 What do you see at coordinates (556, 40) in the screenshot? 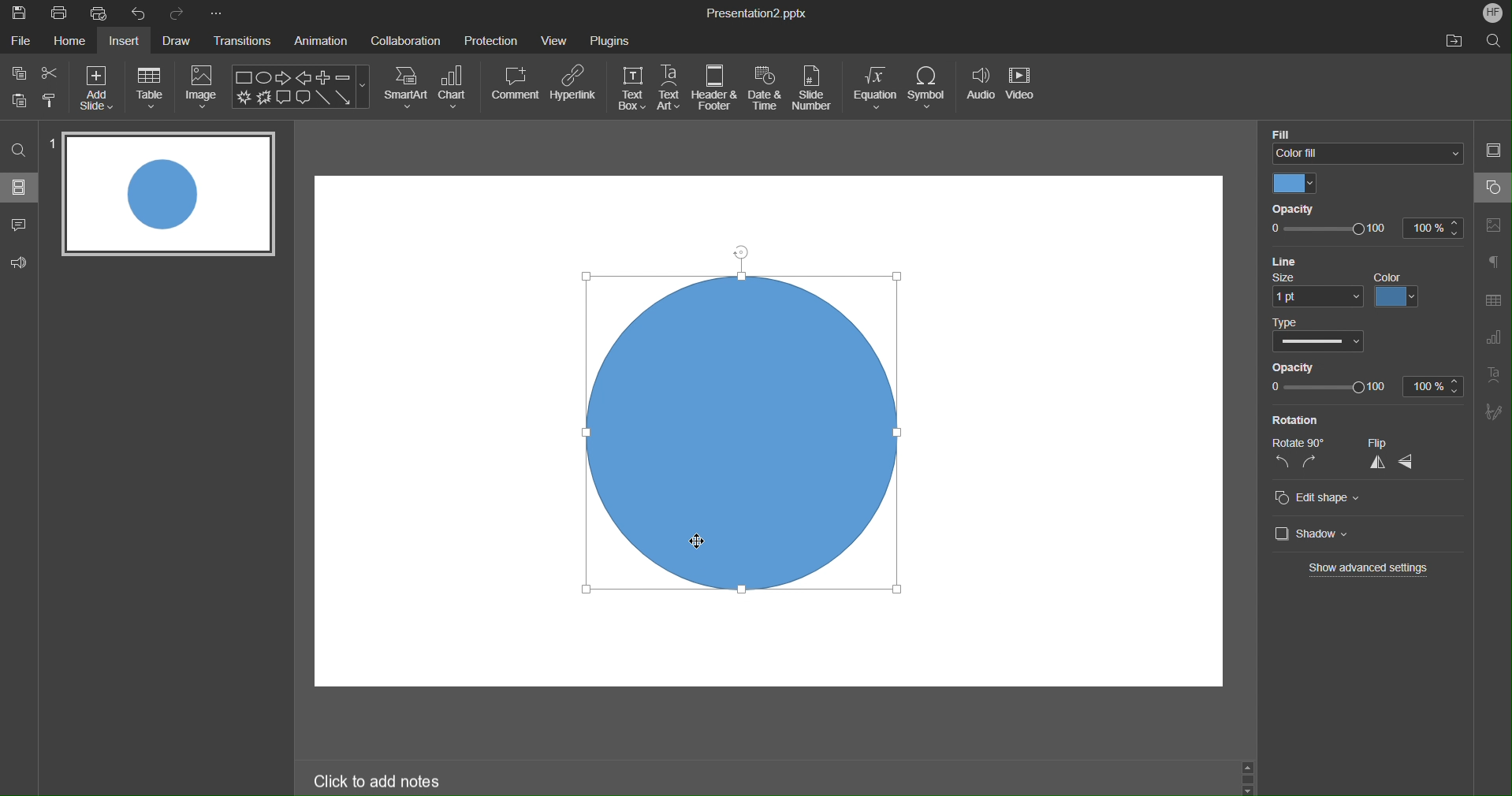
I see `View` at bounding box center [556, 40].